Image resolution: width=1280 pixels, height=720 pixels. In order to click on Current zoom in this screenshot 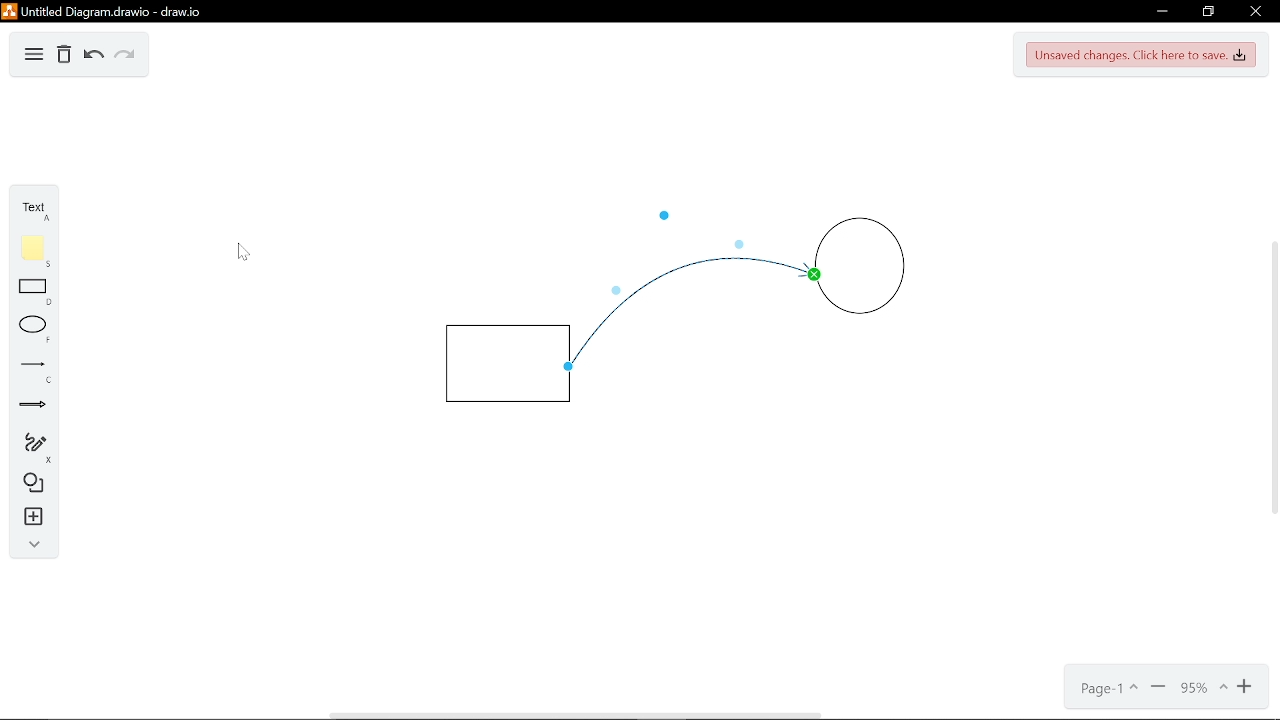, I will do `click(1202, 688)`.